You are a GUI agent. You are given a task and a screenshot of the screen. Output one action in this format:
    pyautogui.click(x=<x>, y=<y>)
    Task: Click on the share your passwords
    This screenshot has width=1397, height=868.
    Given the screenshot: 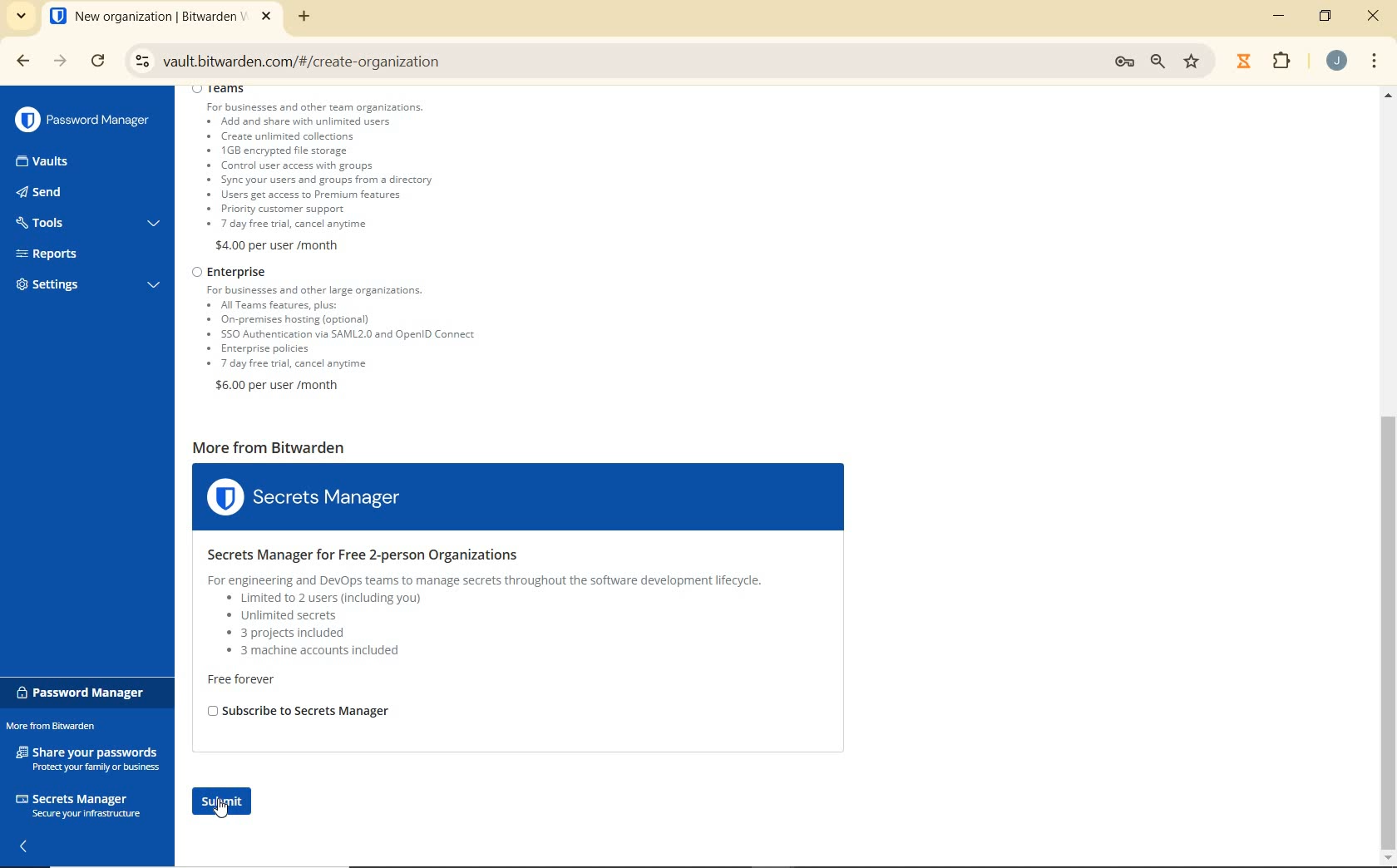 What is the action you would take?
    pyautogui.click(x=90, y=757)
    